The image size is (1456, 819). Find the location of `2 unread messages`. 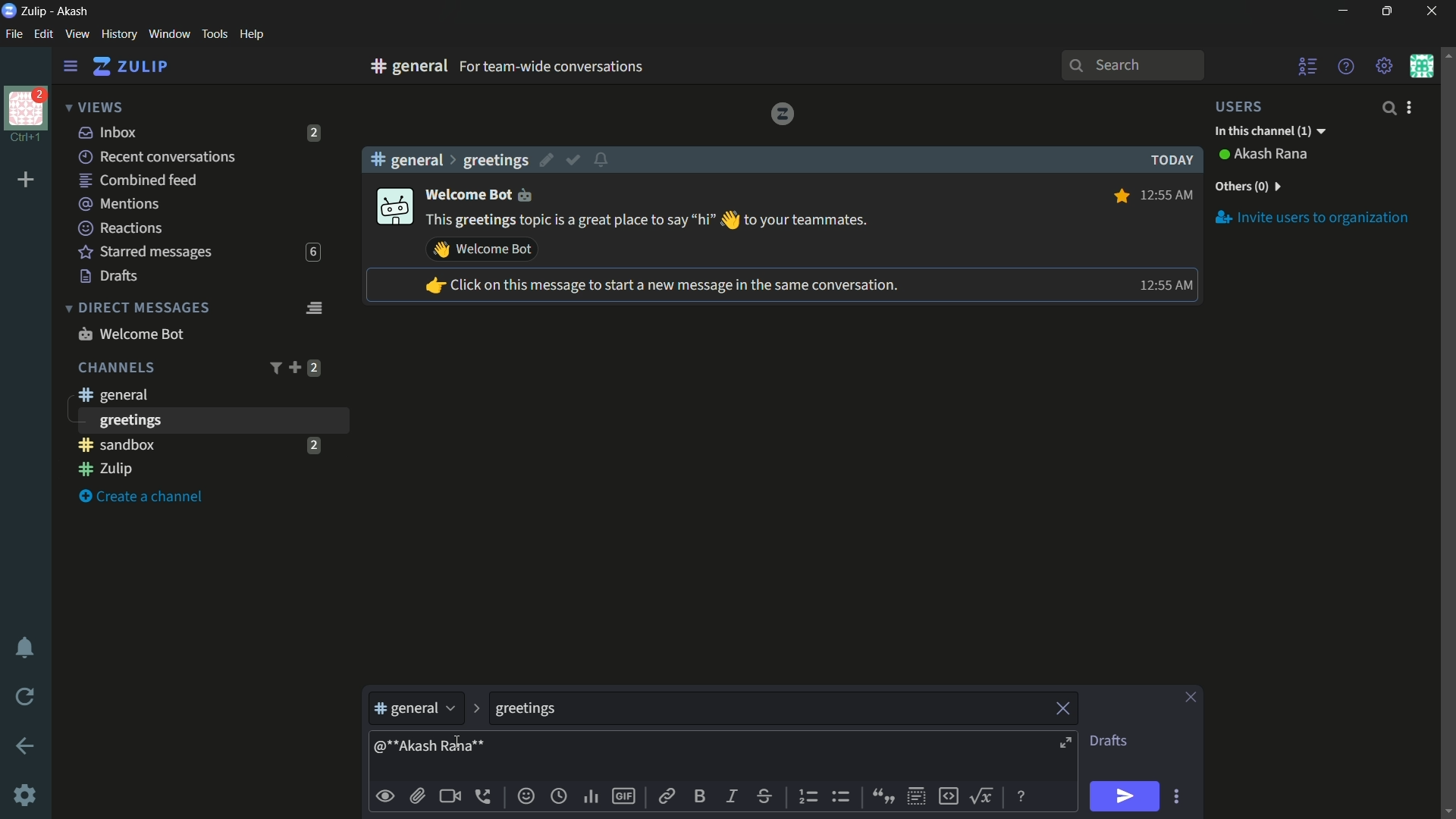

2 unread messages is located at coordinates (313, 444).